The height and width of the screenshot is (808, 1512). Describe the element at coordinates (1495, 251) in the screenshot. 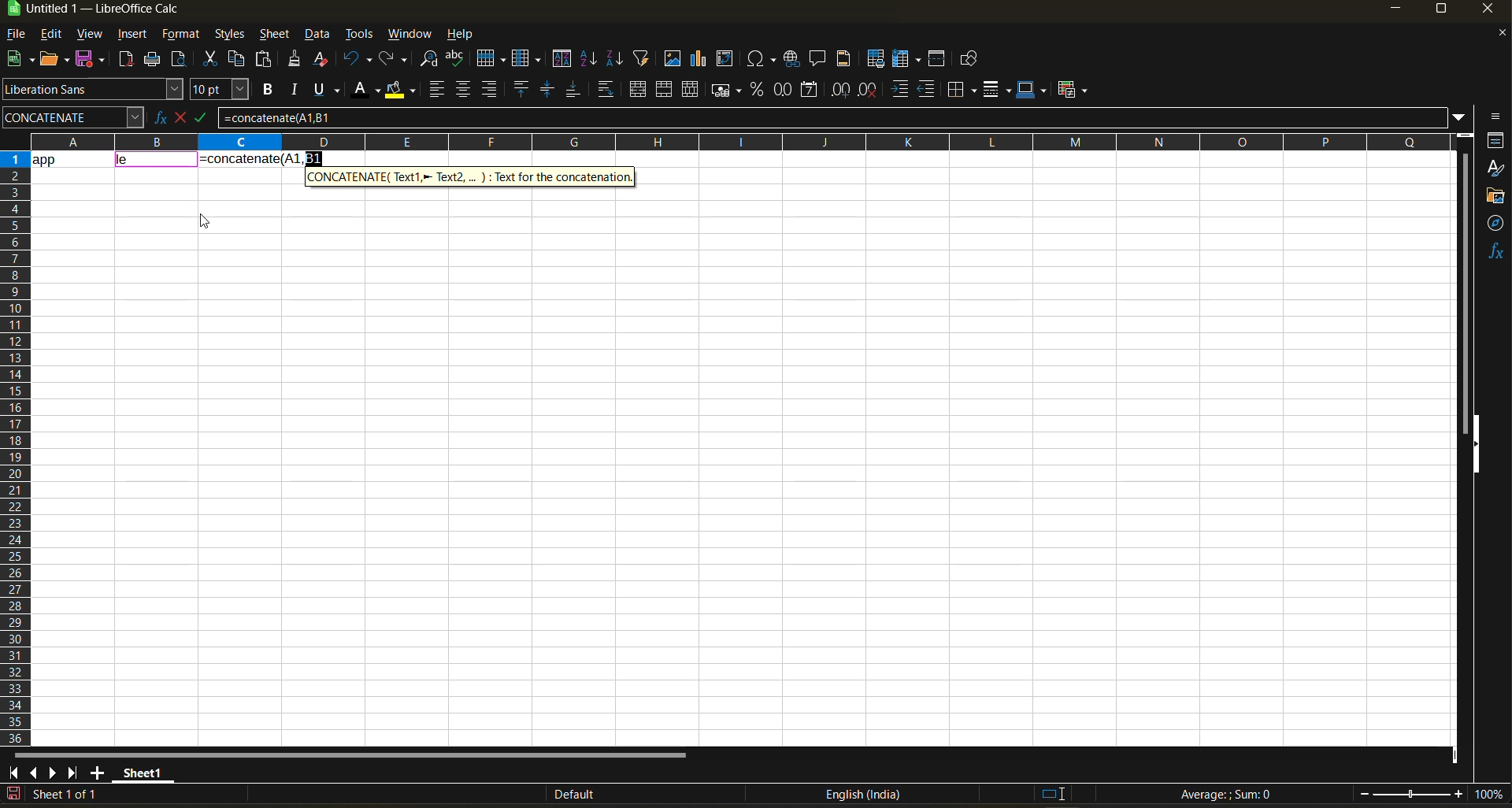

I see `functions` at that location.